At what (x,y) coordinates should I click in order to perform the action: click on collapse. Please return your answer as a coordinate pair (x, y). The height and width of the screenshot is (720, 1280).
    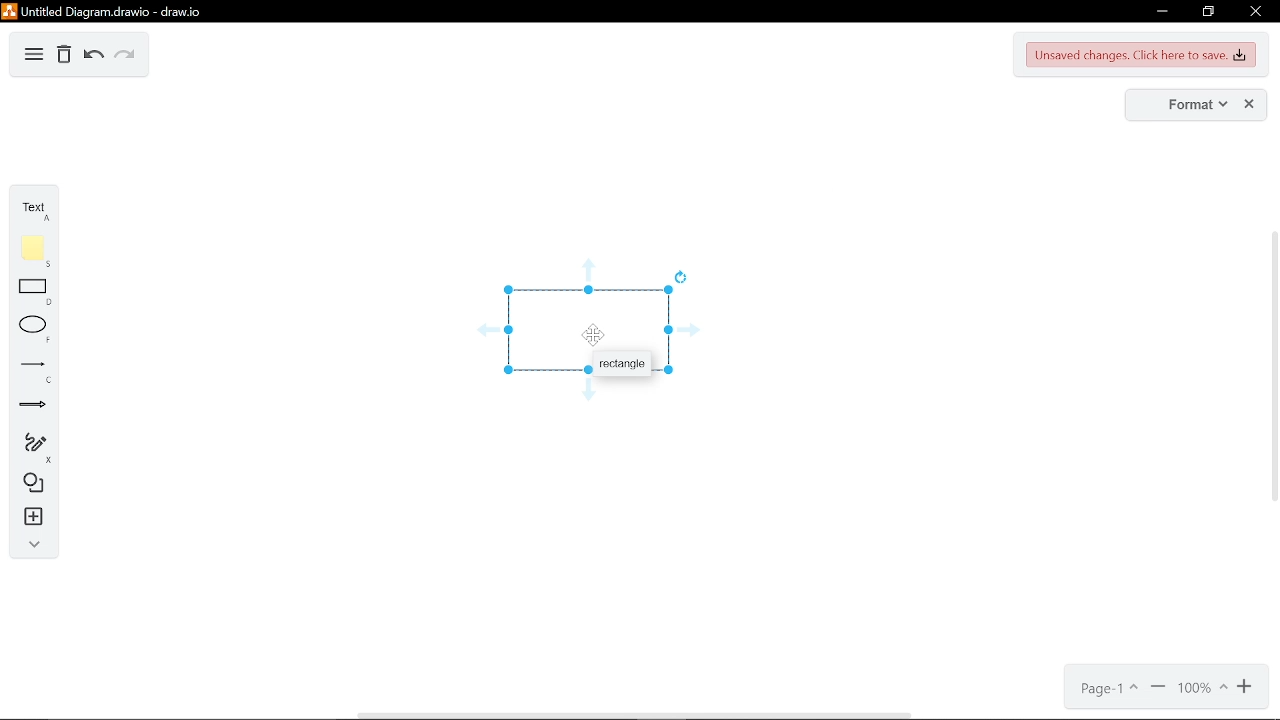
    Looking at the image, I should click on (34, 546).